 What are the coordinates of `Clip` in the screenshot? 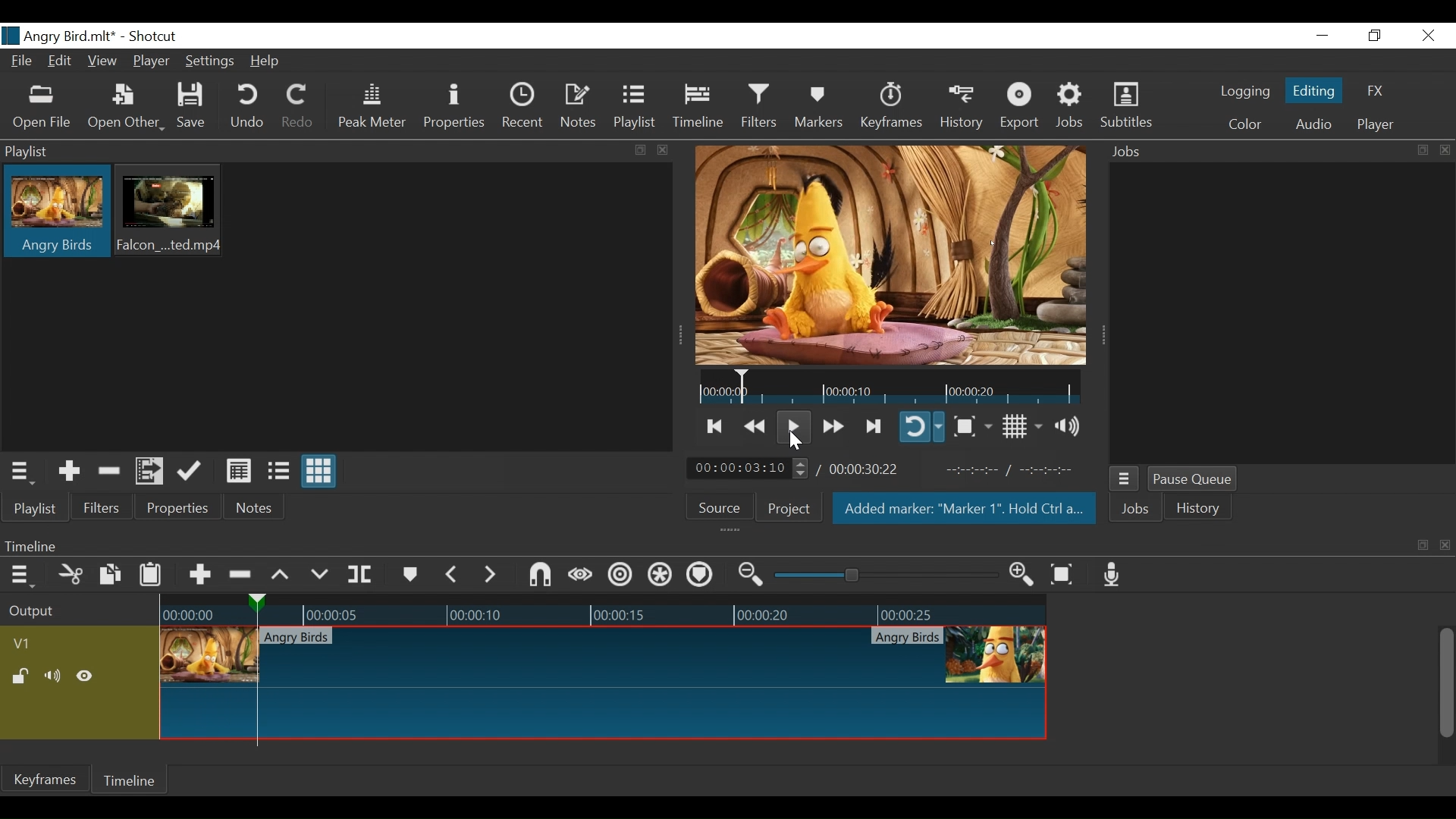 It's located at (56, 213).